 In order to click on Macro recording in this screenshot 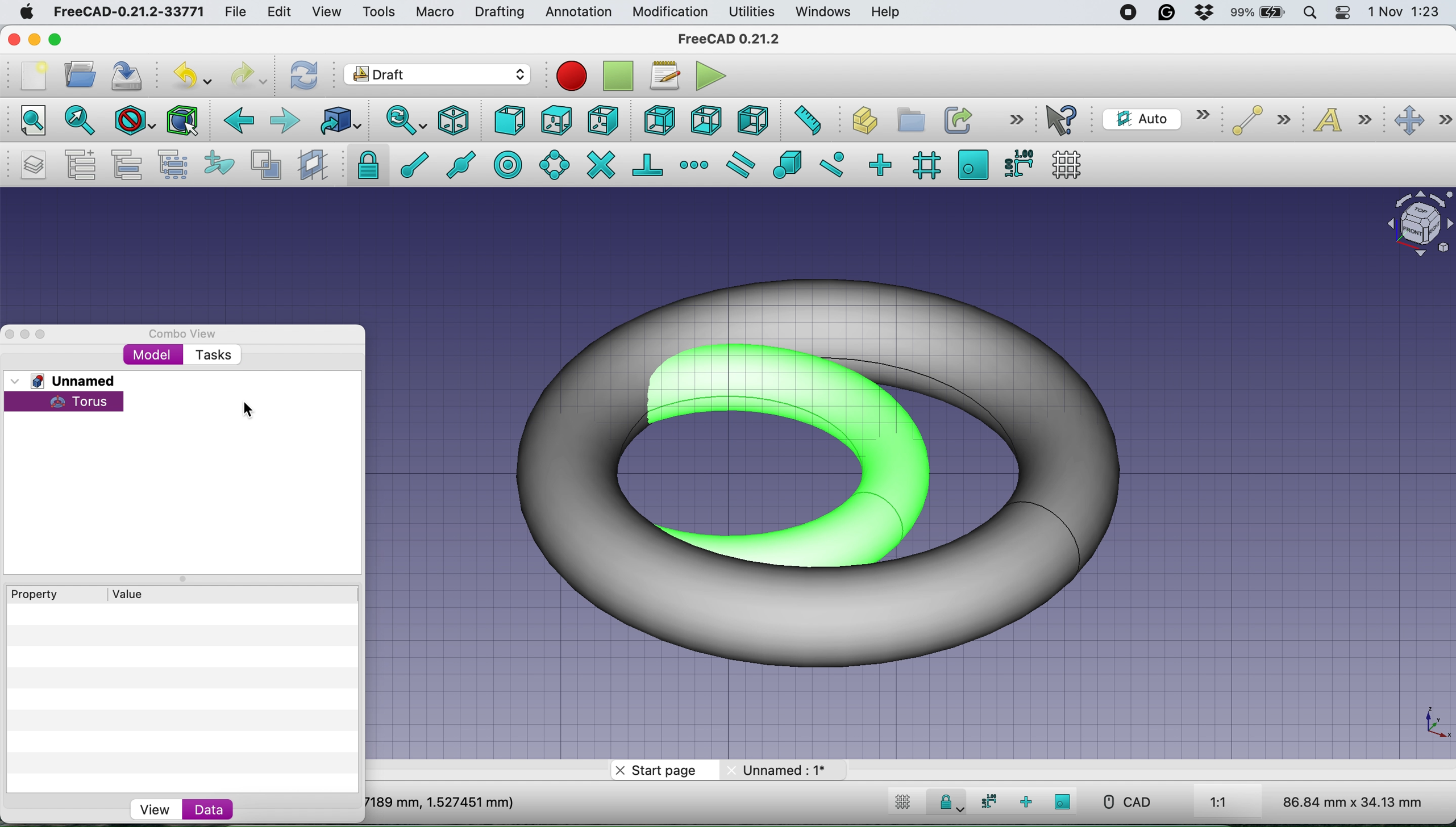, I will do `click(571, 76)`.